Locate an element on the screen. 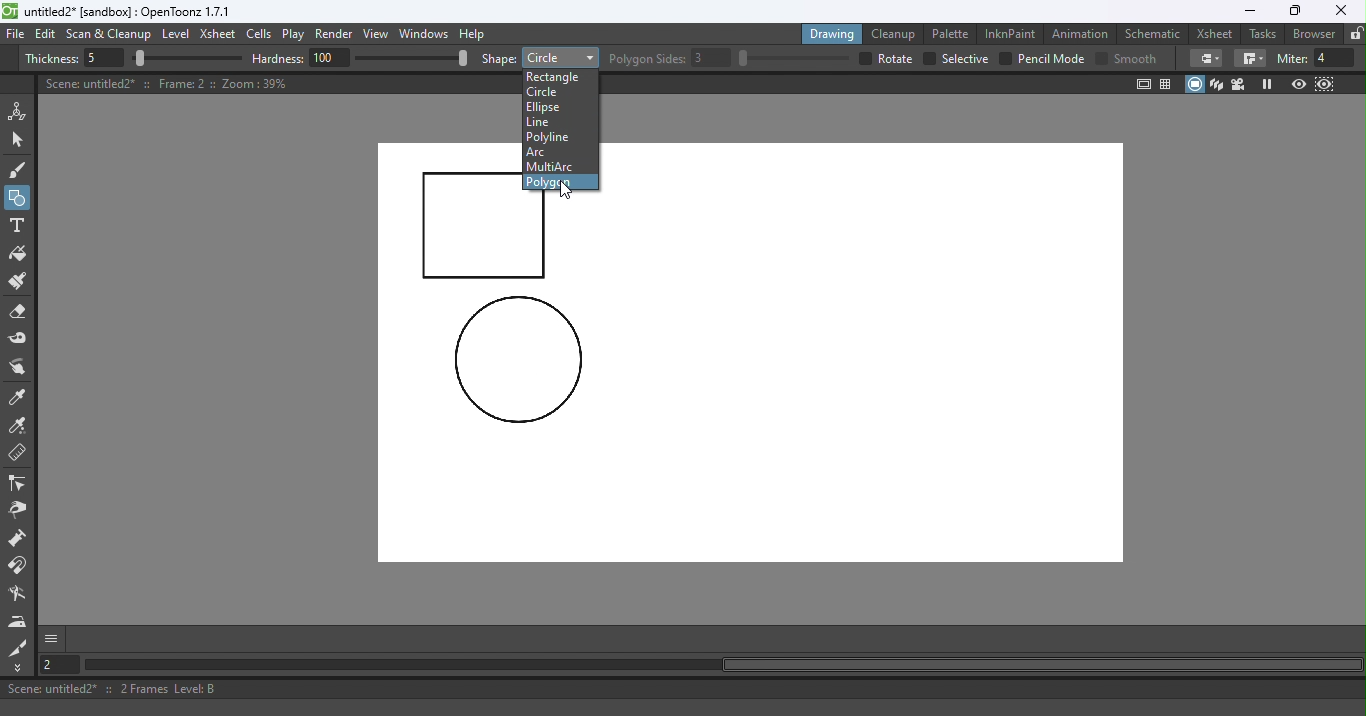  Ruler tool is located at coordinates (18, 455).